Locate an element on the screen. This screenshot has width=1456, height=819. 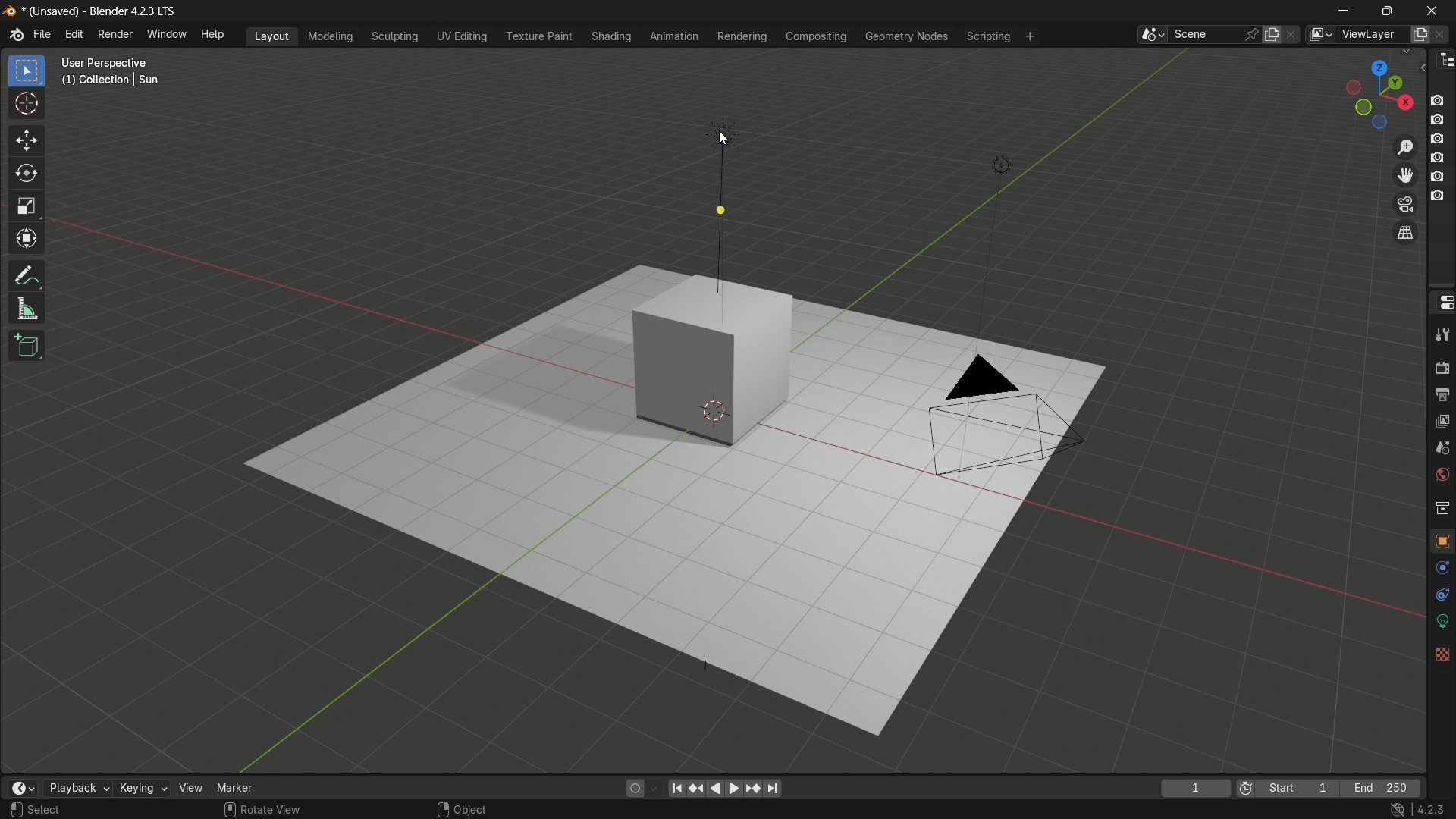
view layer name is located at coordinates (1373, 35).